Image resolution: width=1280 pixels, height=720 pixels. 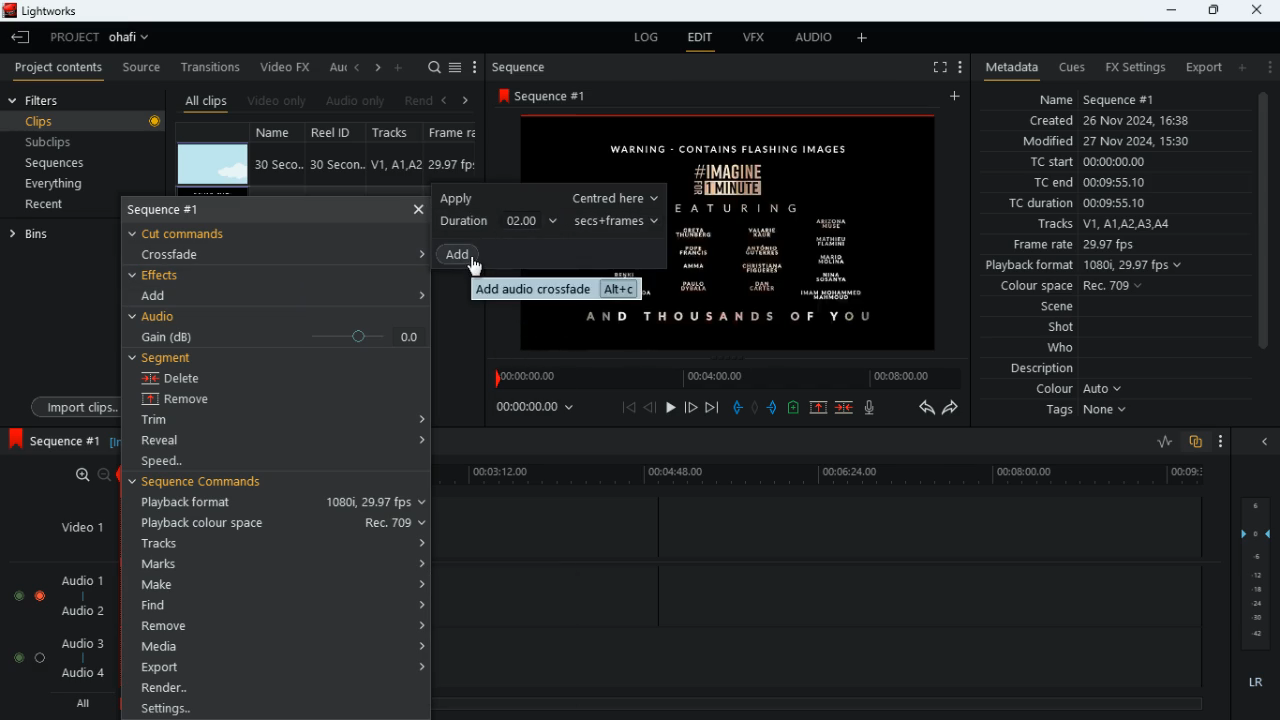 What do you see at coordinates (80, 704) in the screenshot?
I see `all` at bounding box center [80, 704].